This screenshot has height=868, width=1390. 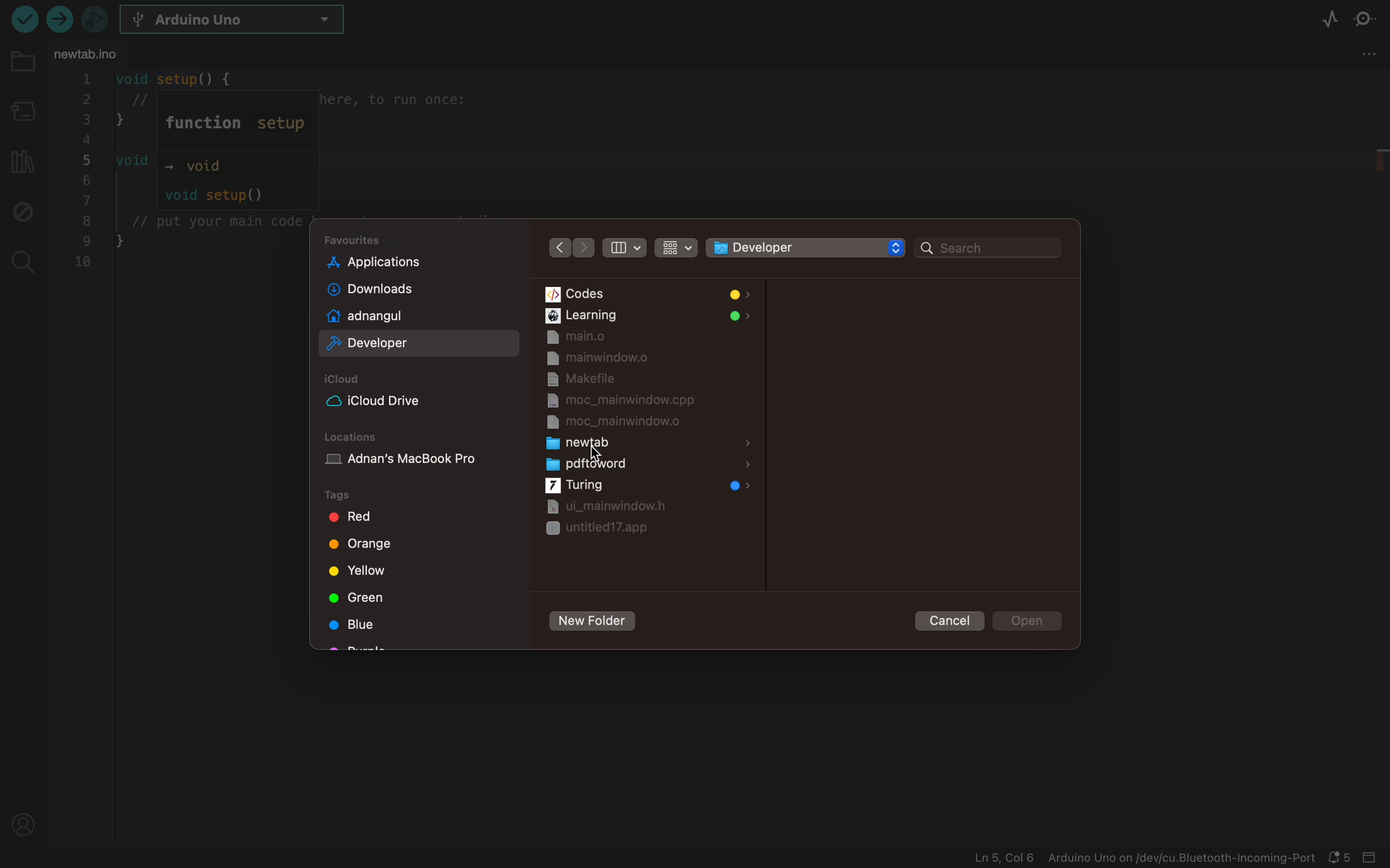 What do you see at coordinates (353, 495) in the screenshot?
I see `tags` at bounding box center [353, 495].